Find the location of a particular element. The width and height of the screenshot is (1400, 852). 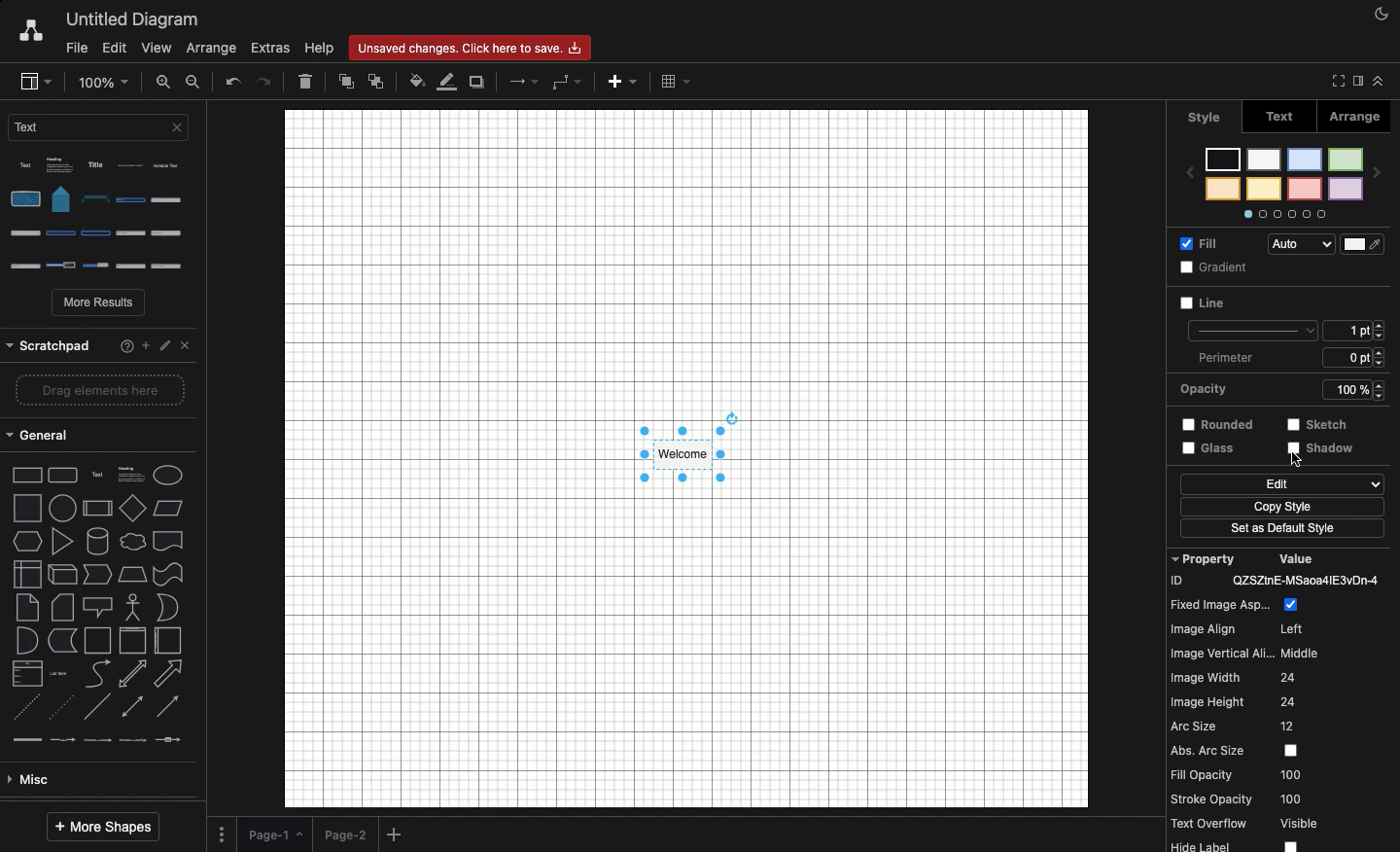

Set as default style is located at coordinates (1283, 505).